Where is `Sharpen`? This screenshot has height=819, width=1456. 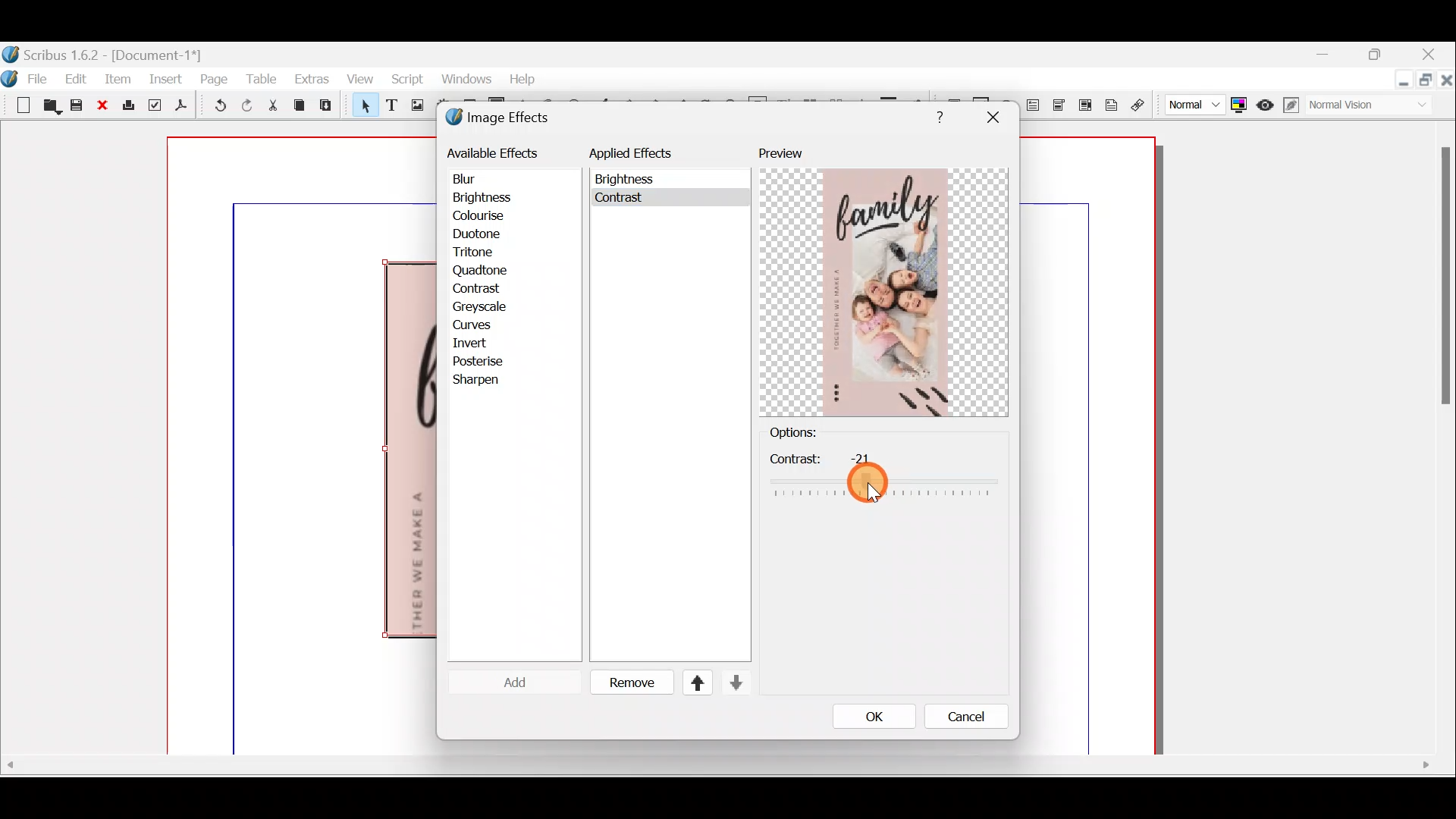
Sharpen is located at coordinates (484, 381).